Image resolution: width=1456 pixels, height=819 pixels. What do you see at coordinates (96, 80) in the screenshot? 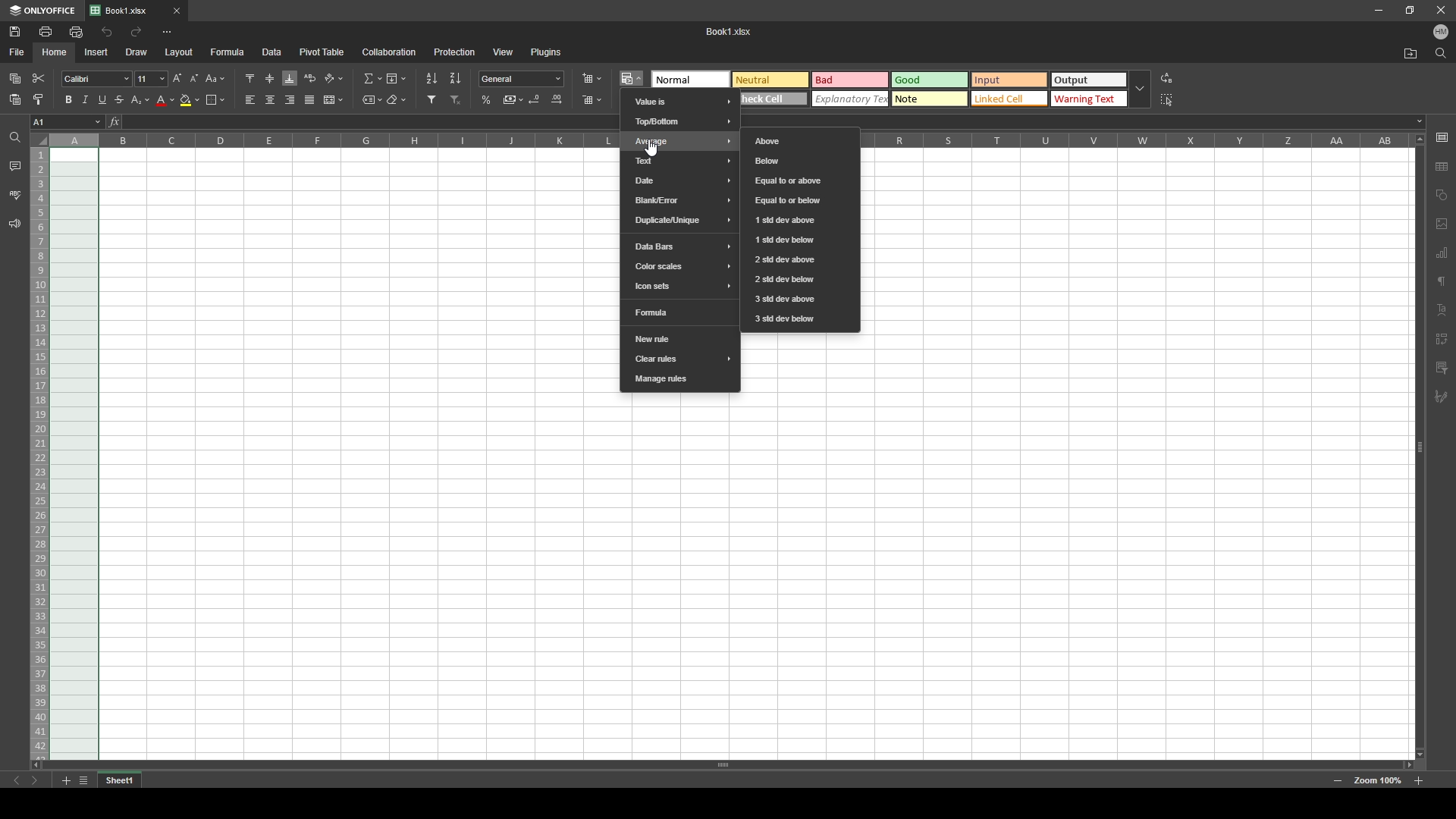
I see `font style` at bounding box center [96, 80].